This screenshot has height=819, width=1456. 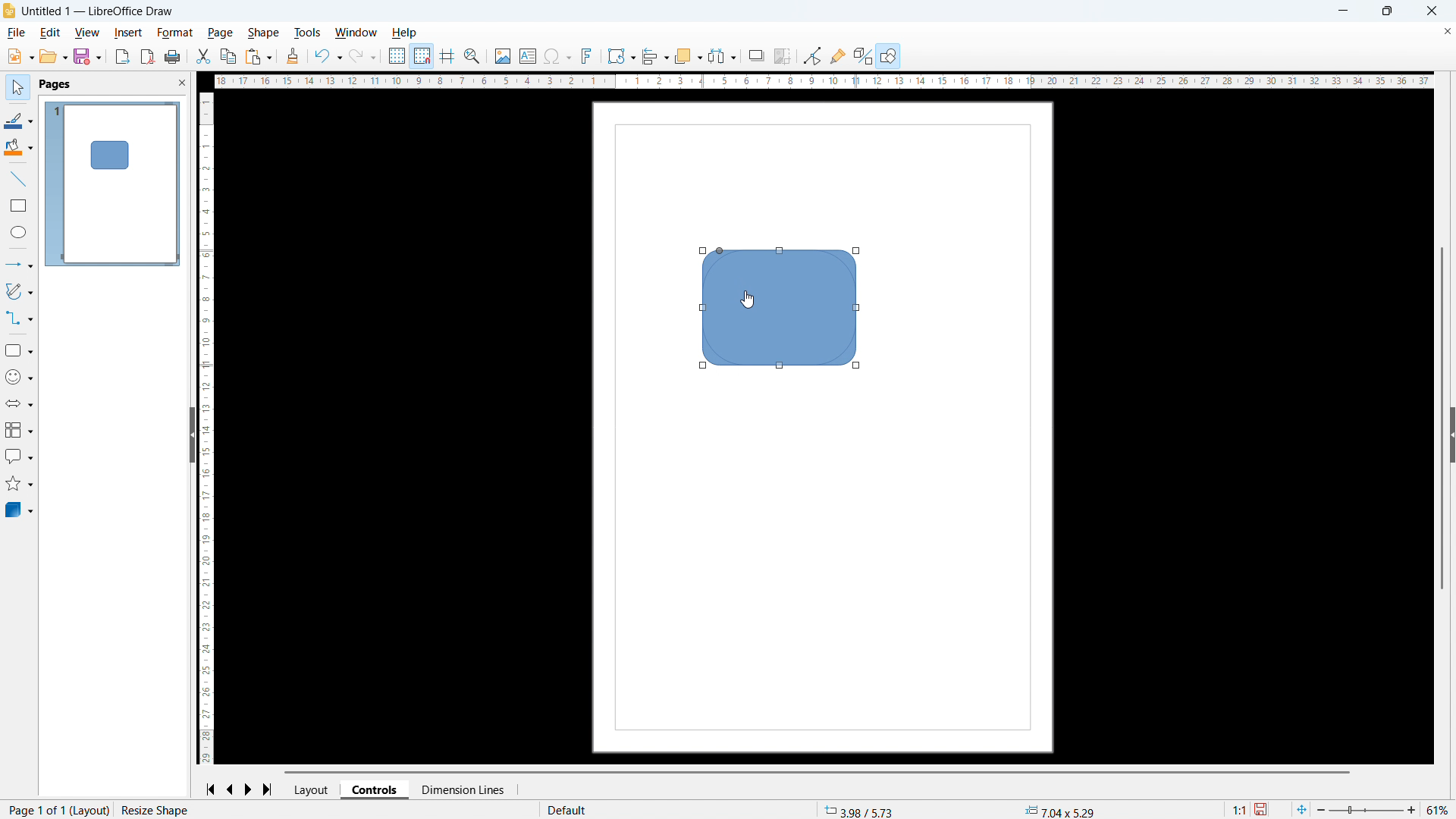 What do you see at coordinates (328, 57) in the screenshot?
I see `Undo ` at bounding box center [328, 57].